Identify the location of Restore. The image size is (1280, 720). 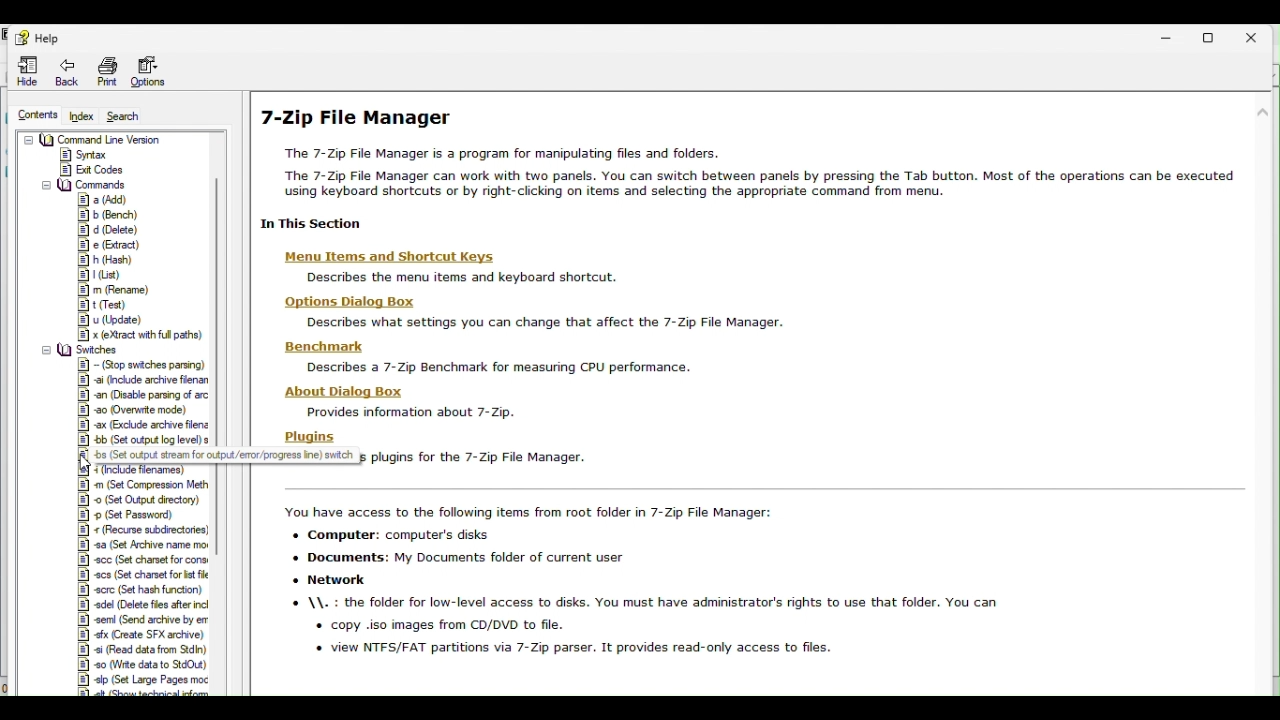
(1215, 35).